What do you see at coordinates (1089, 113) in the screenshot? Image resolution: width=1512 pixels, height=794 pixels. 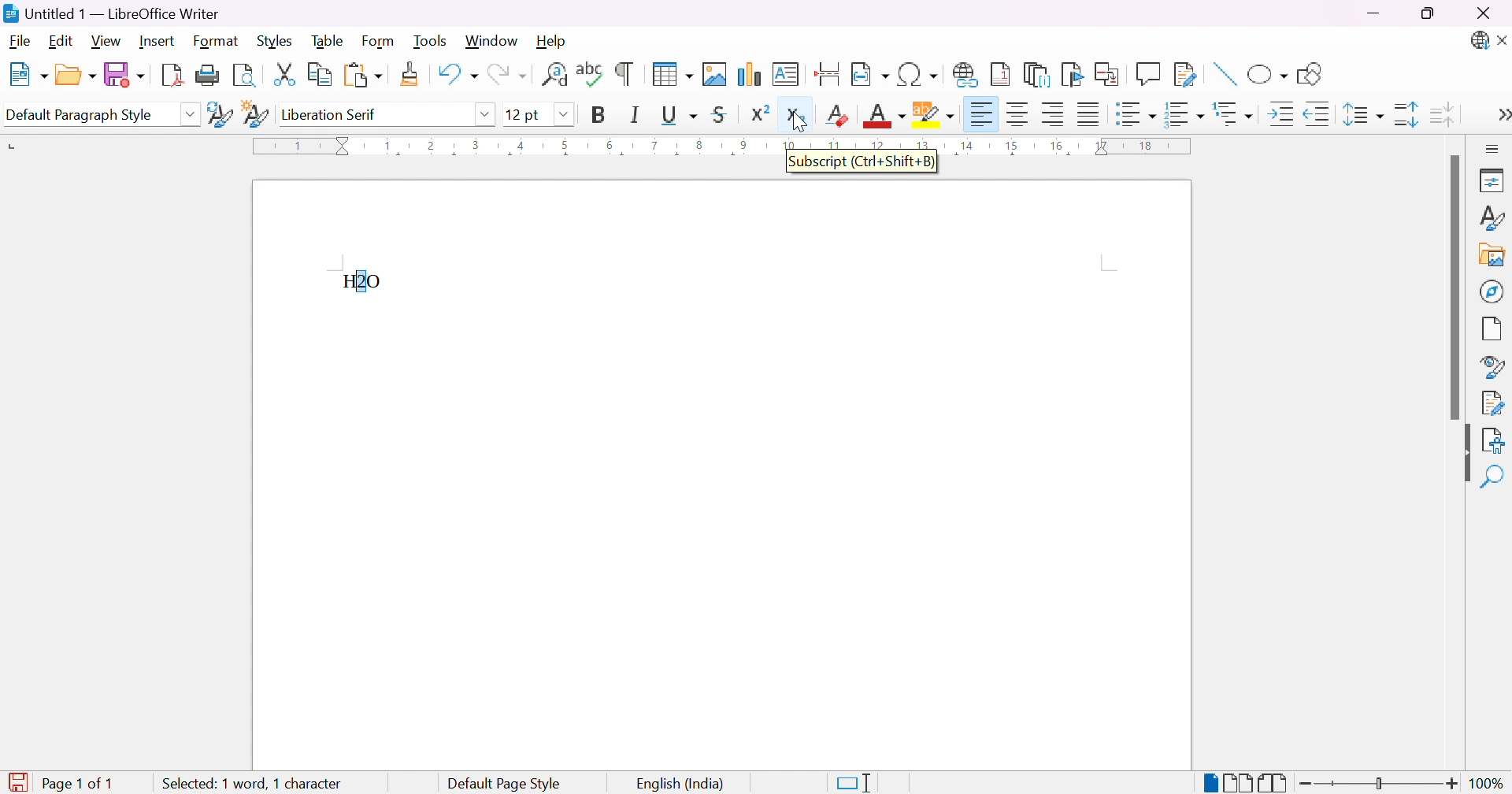 I see `Justified` at bounding box center [1089, 113].